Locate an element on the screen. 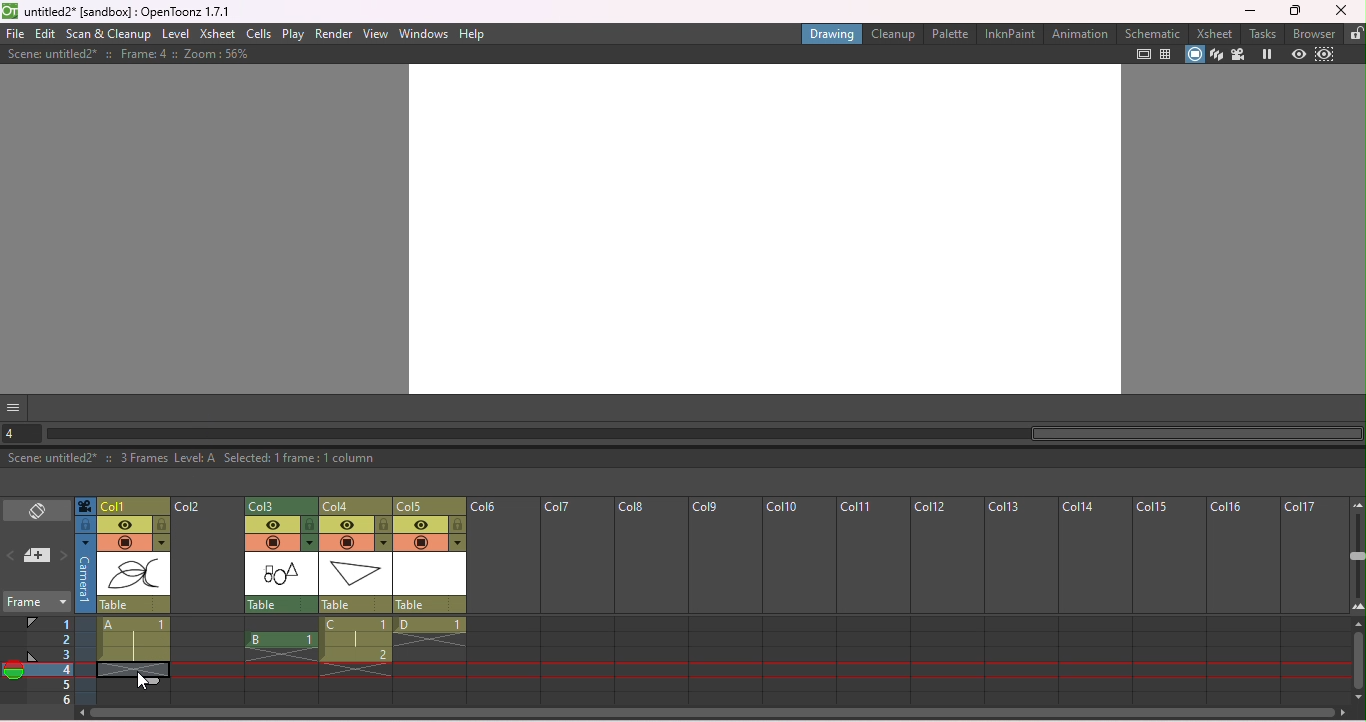 The image size is (1366, 722). column 8 is located at coordinates (649, 602).